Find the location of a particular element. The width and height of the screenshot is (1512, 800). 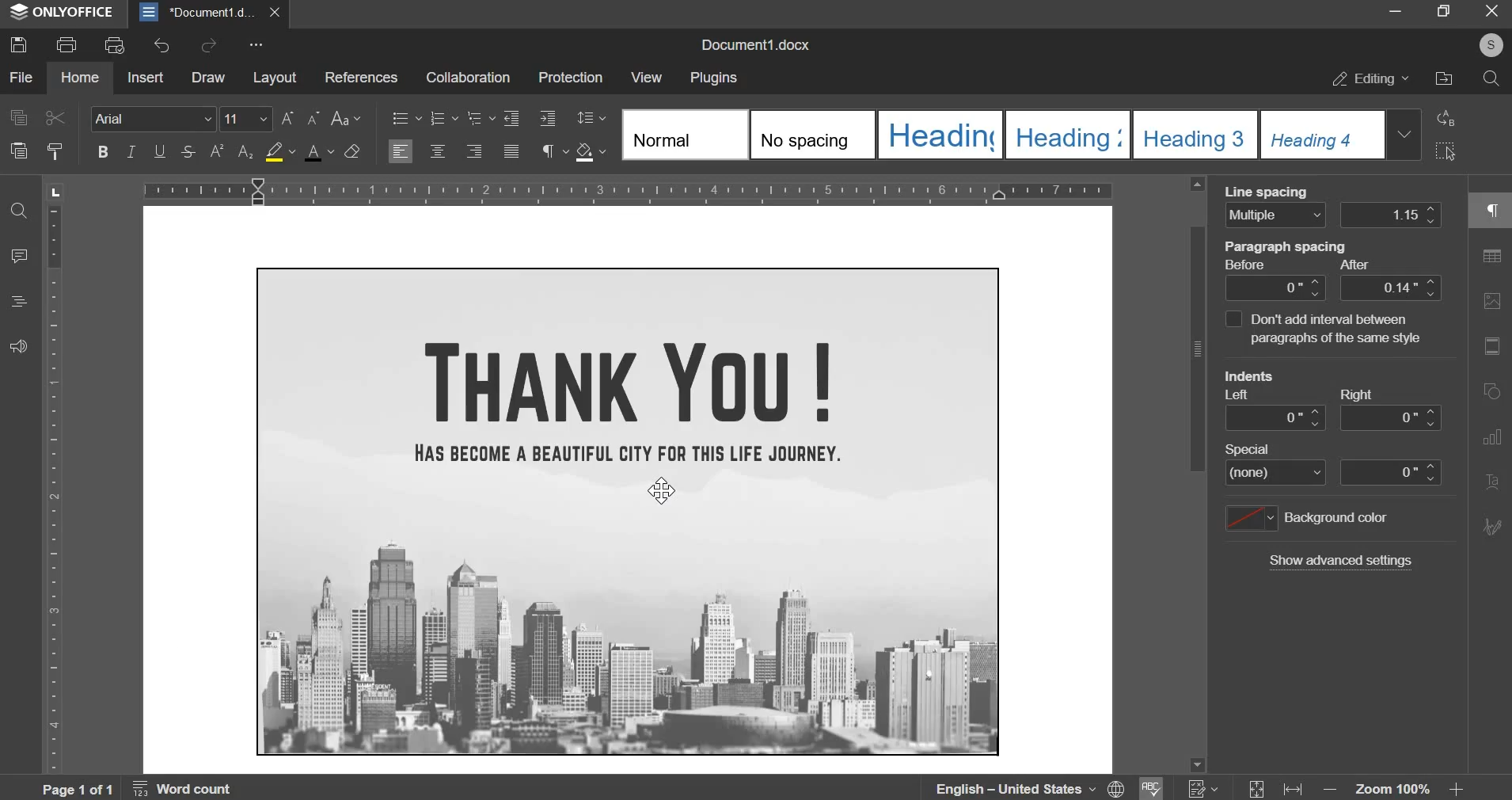

scrollbar is located at coordinates (1195, 471).